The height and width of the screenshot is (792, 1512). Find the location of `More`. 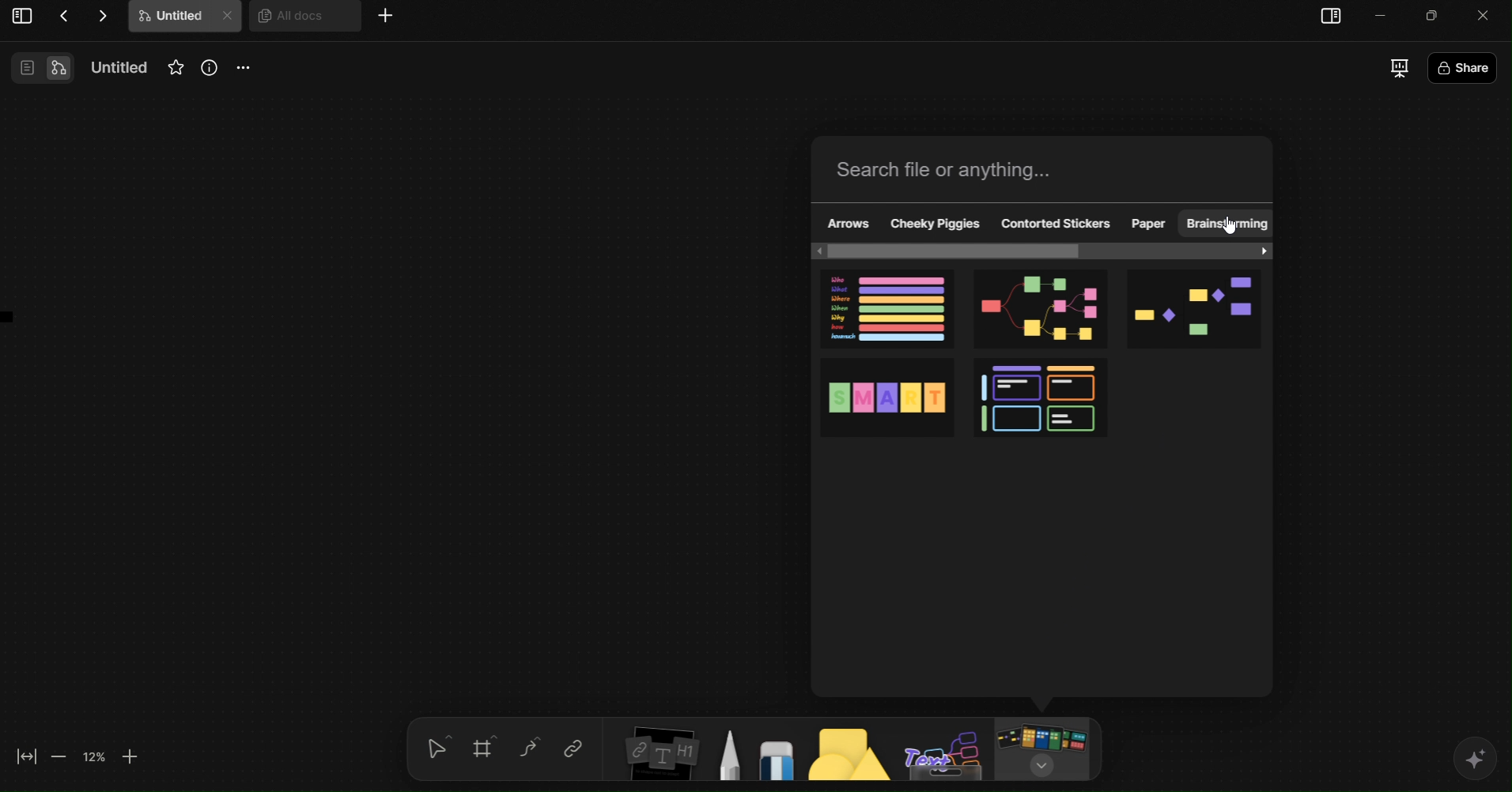

More is located at coordinates (386, 17).